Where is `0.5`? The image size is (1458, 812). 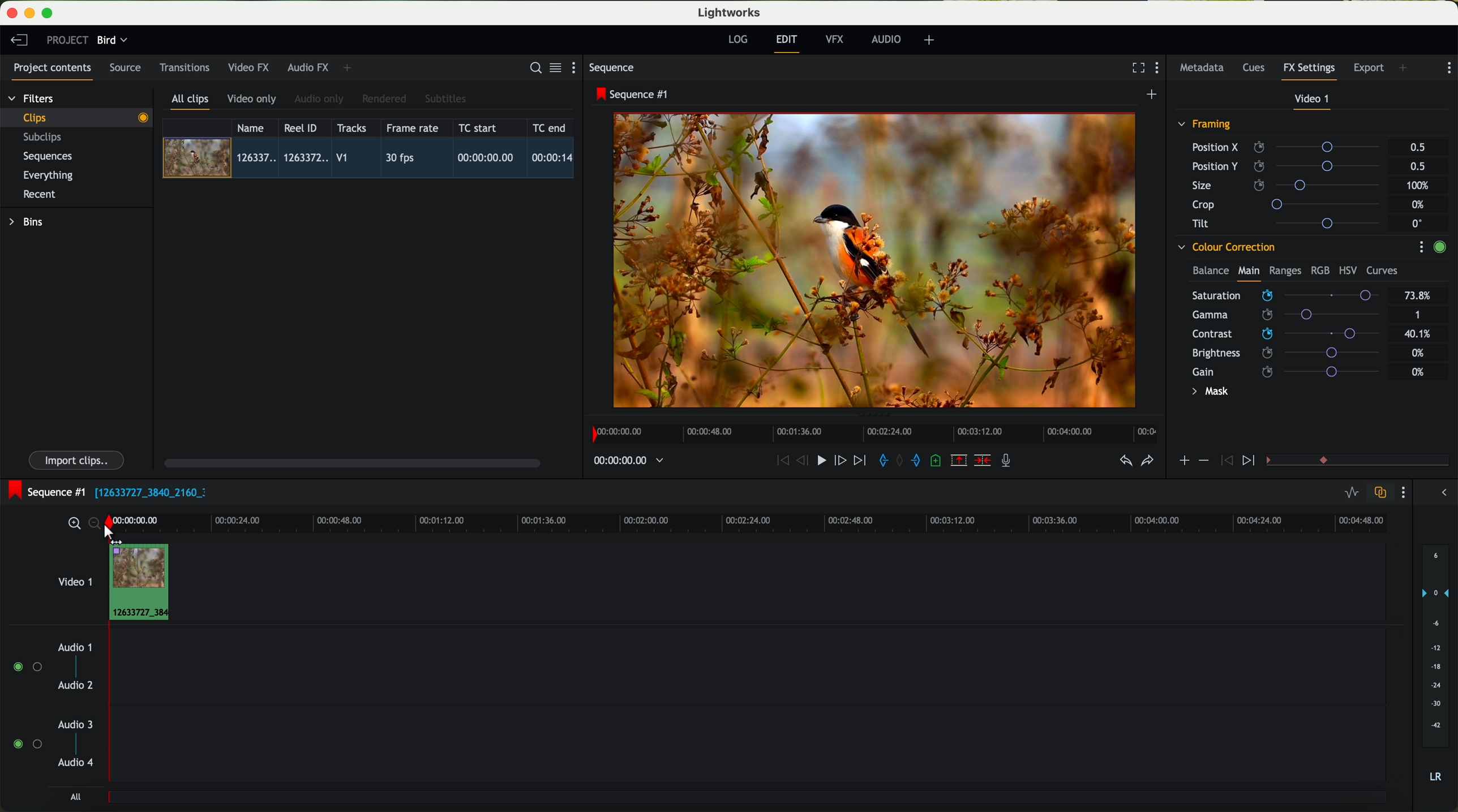
0.5 is located at coordinates (1417, 166).